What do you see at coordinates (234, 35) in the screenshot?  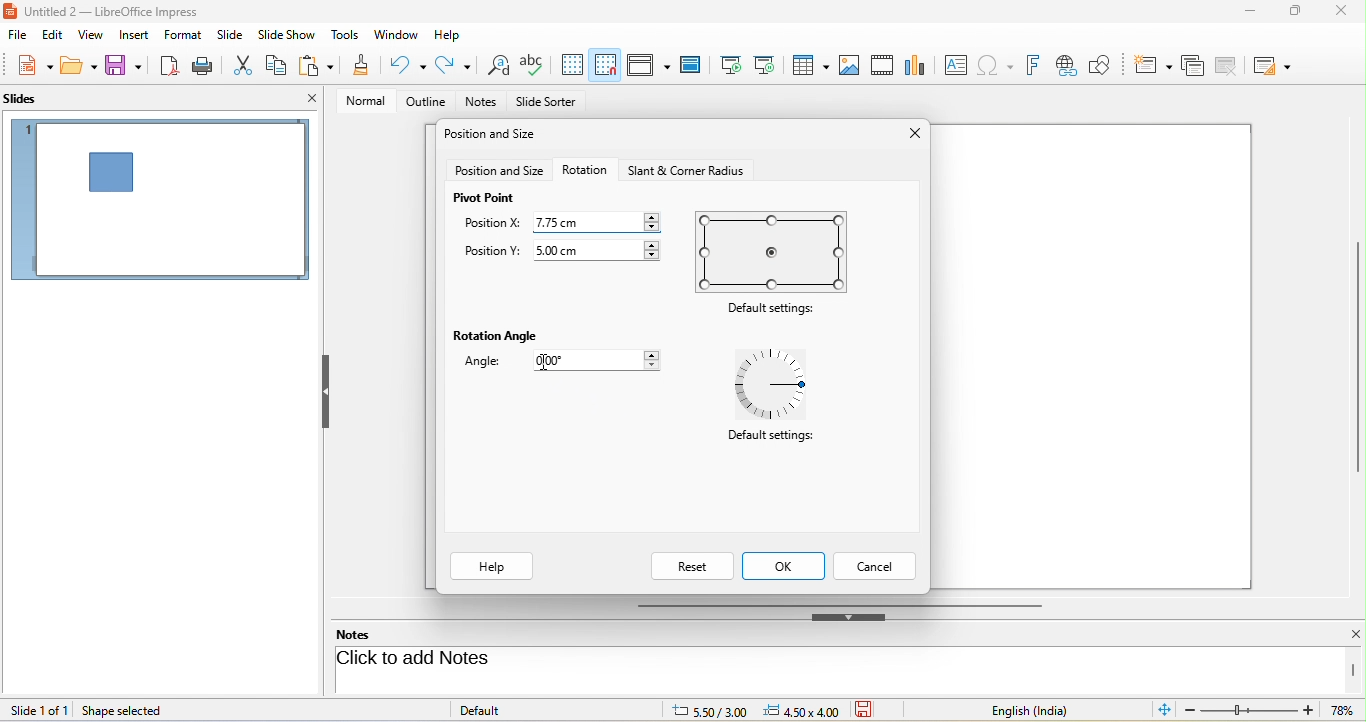 I see `side` at bounding box center [234, 35].